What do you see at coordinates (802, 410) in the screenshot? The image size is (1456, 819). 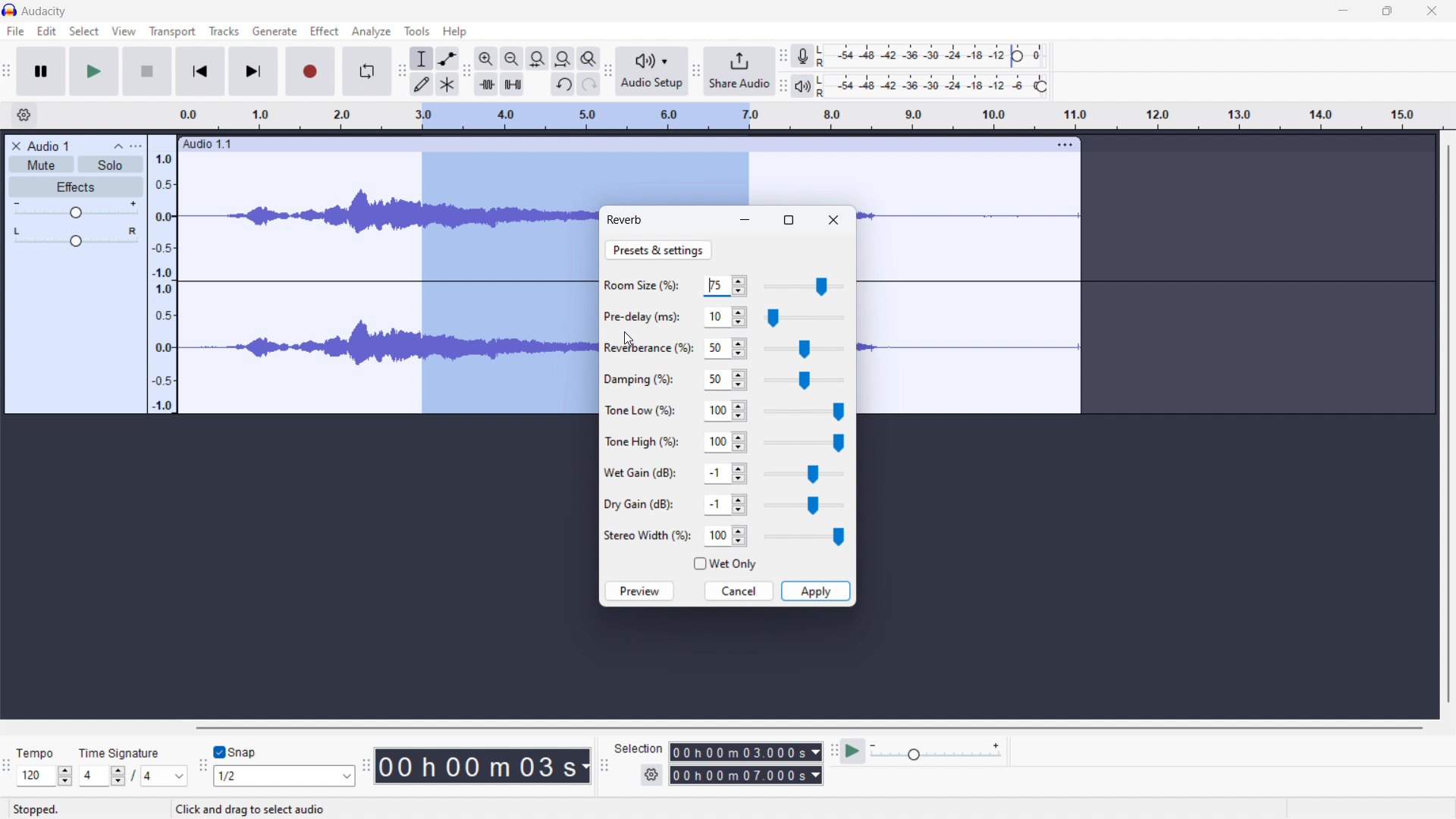 I see `tone low slider` at bounding box center [802, 410].